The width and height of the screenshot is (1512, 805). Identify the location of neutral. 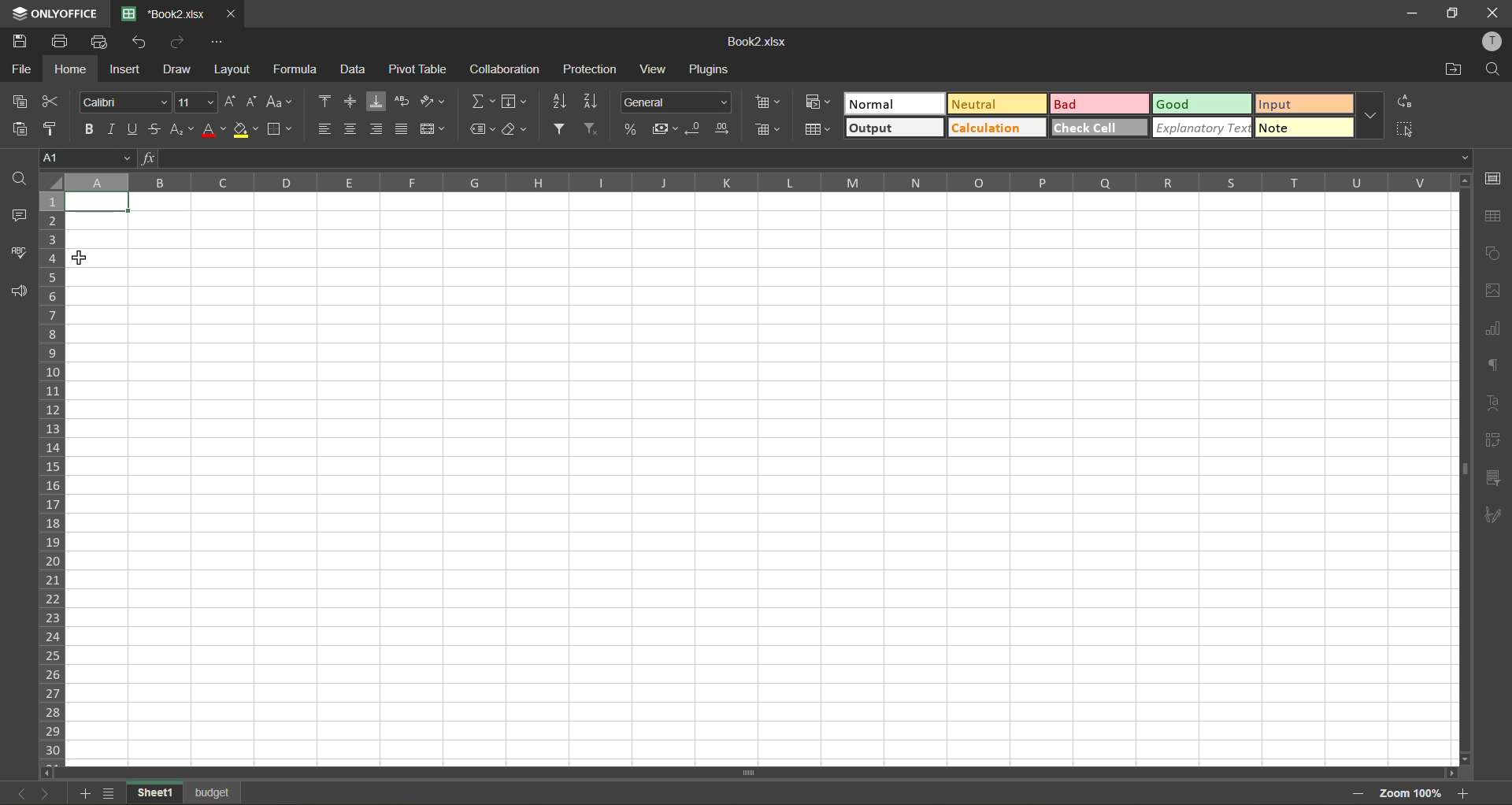
(999, 103).